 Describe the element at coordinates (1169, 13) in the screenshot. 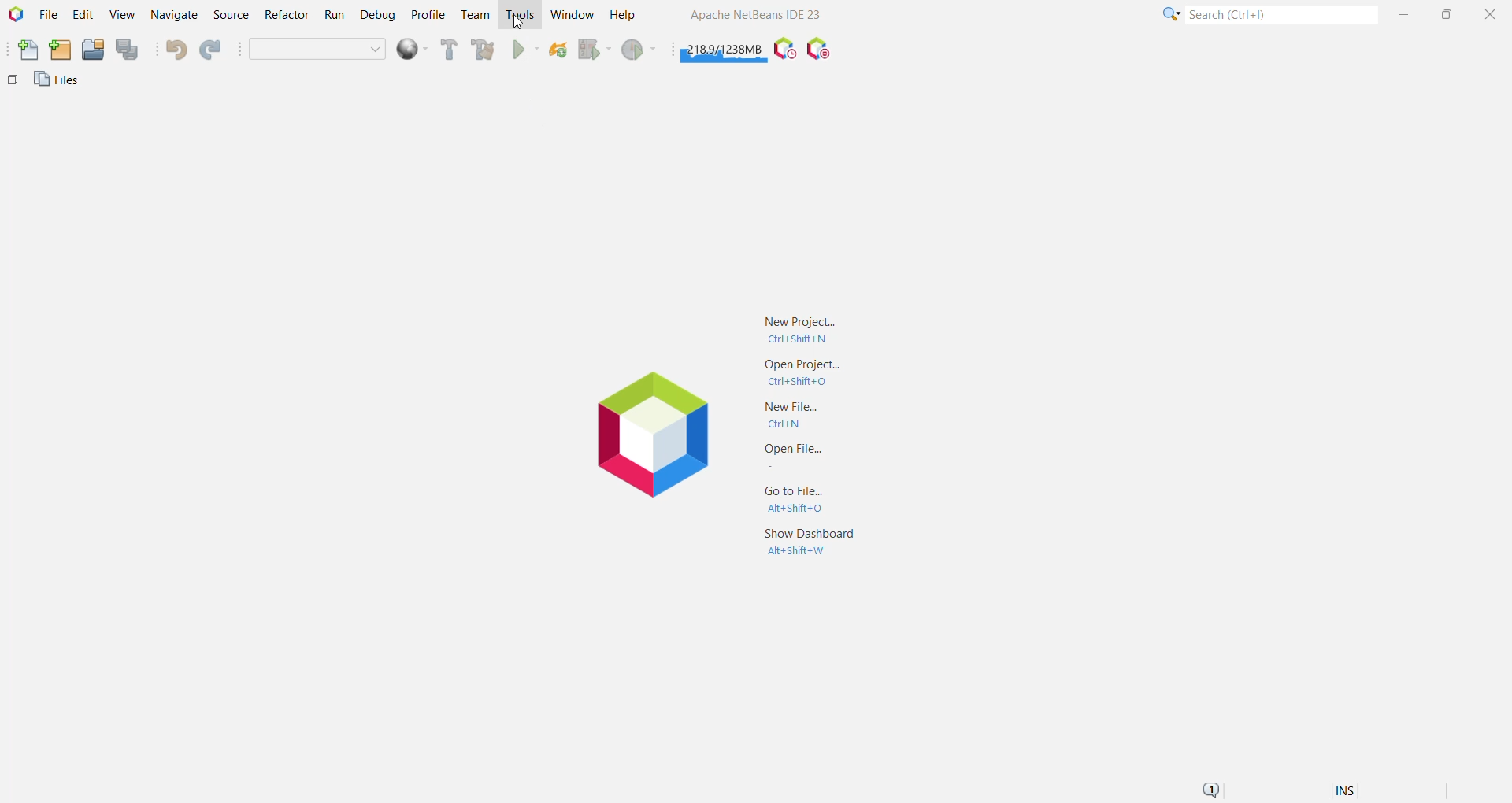

I see `Click or press Shift+F10 for Category Selection` at that location.